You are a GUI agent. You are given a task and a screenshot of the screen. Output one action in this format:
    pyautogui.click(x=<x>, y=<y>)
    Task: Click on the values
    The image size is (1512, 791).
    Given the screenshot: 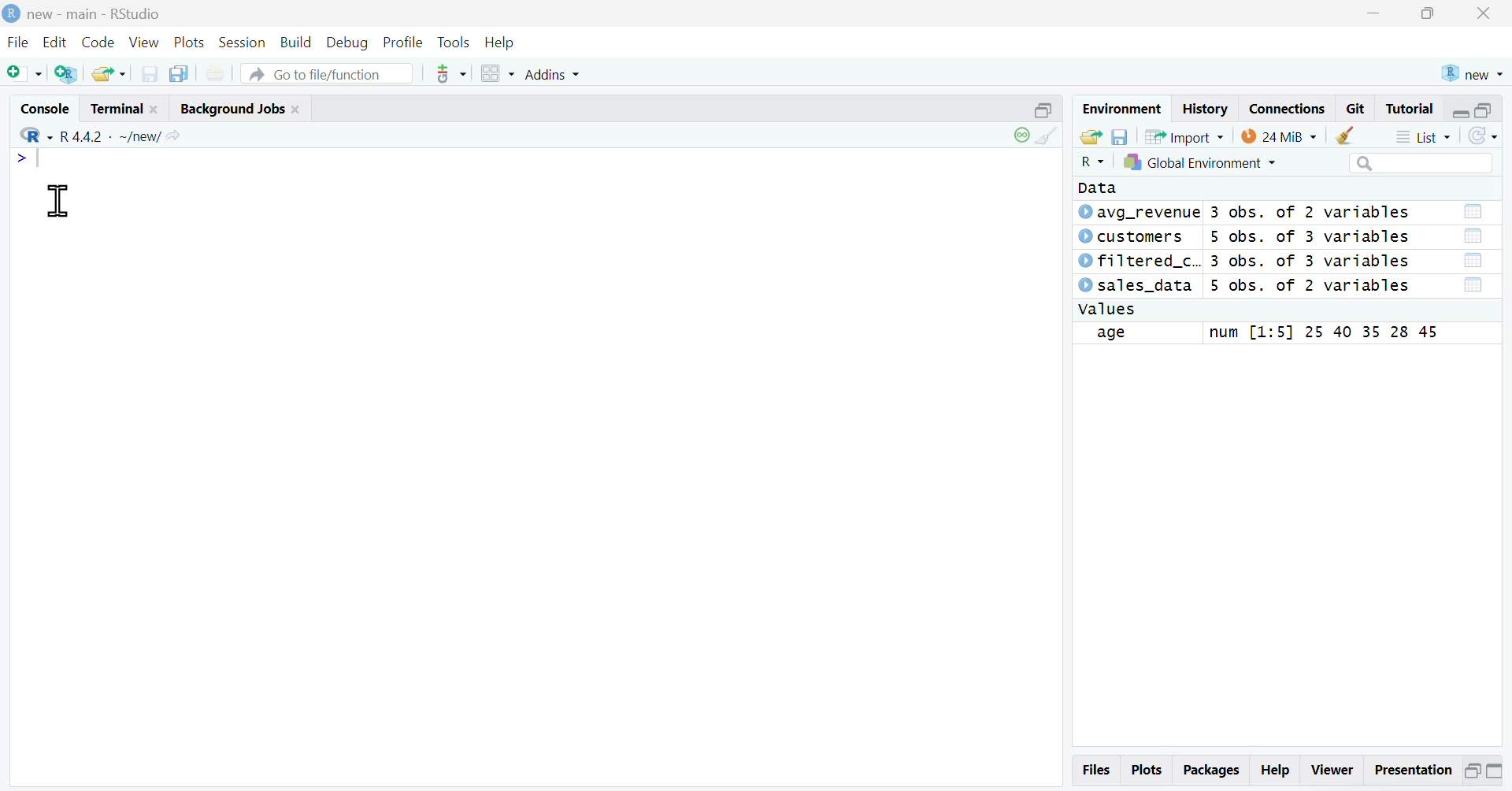 What is the action you would take?
    pyautogui.click(x=1108, y=310)
    